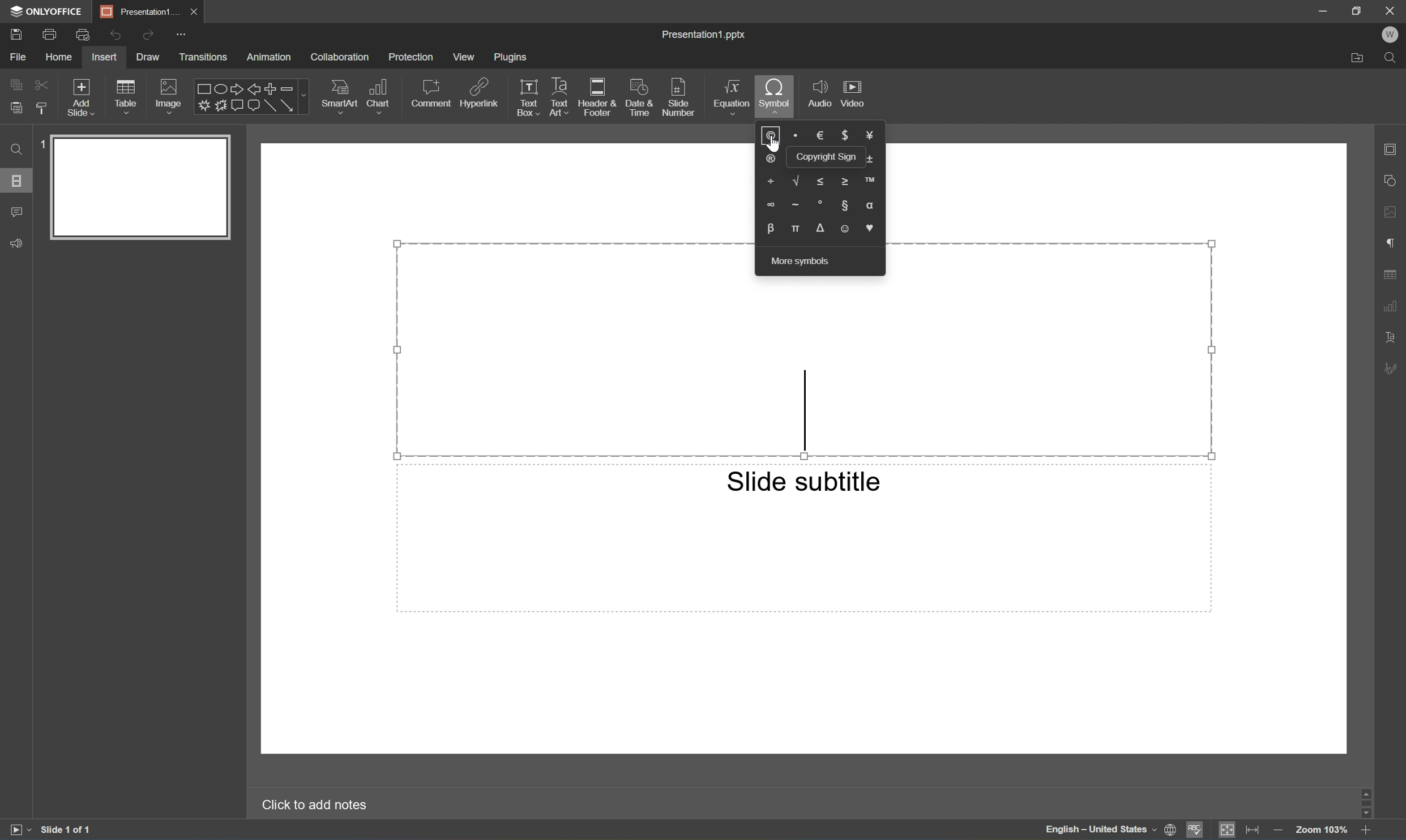 The height and width of the screenshot is (840, 1406). What do you see at coordinates (16, 106) in the screenshot?
I see `Paste` at bounding box center [16, 106].